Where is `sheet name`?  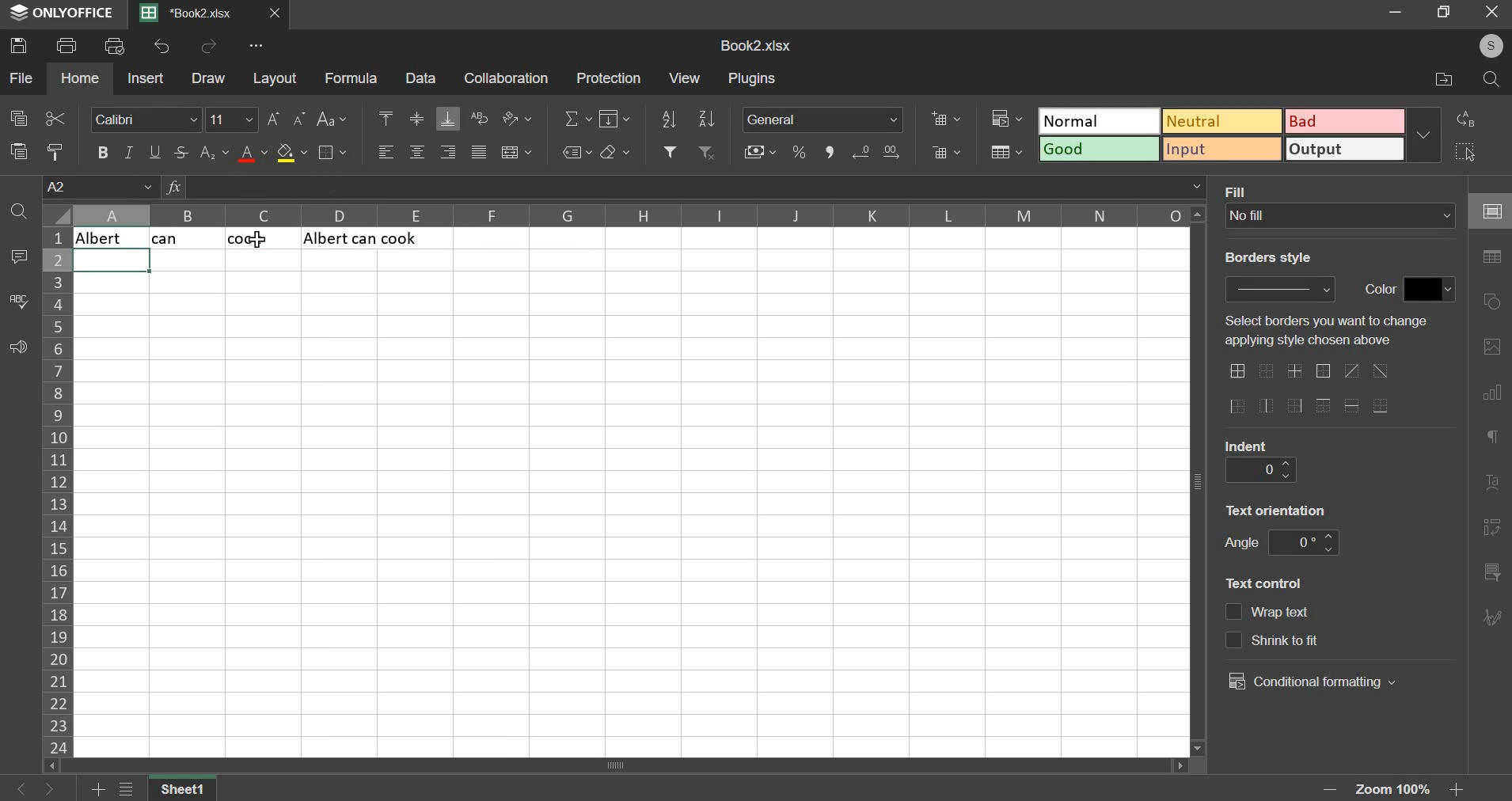
sheet name is located at coordinates (188, 790).